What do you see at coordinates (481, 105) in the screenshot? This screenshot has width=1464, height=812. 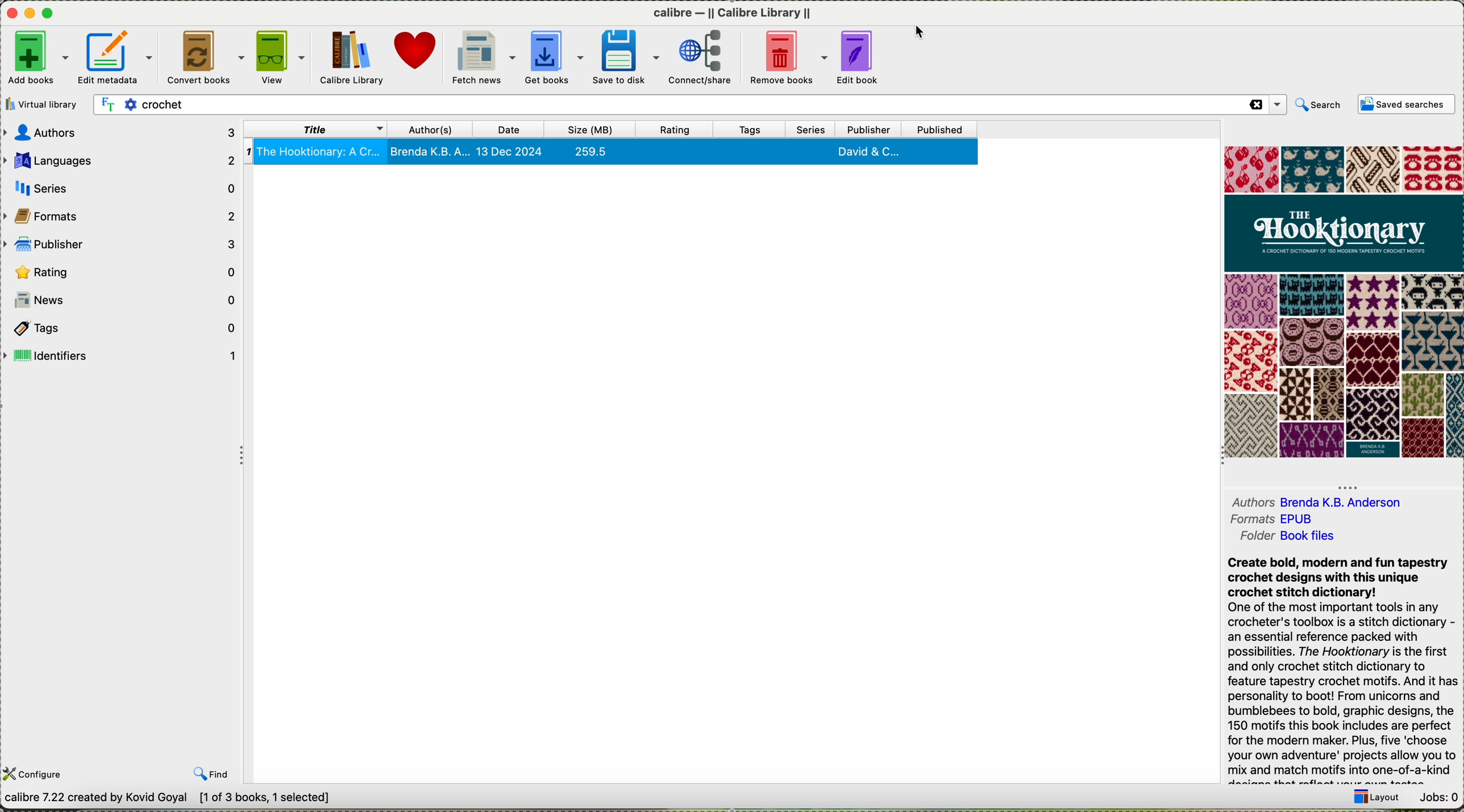 I see `crochet` at bounding box center [481, 105].